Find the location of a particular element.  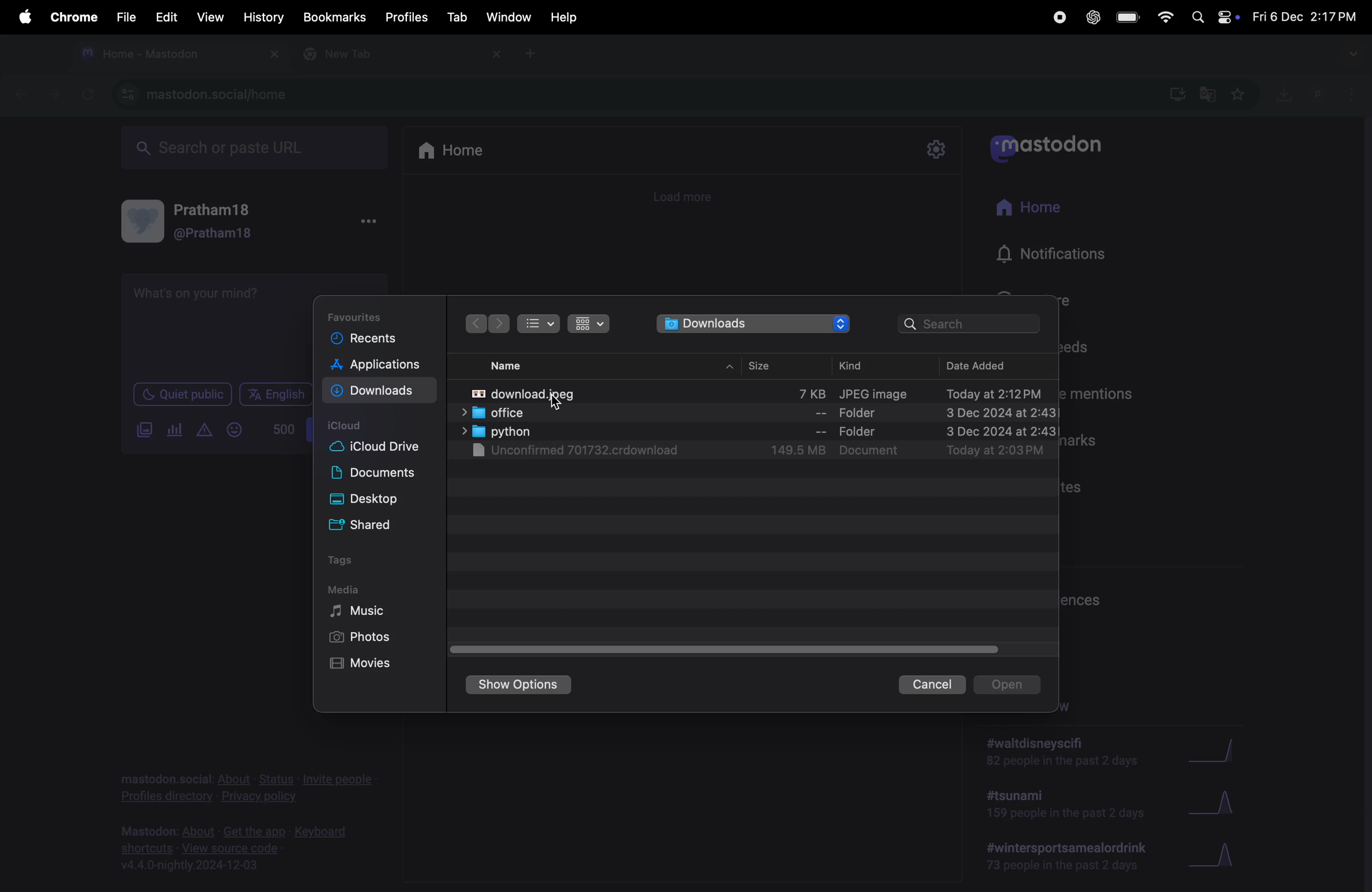

English is located at coordinates (276, 394).